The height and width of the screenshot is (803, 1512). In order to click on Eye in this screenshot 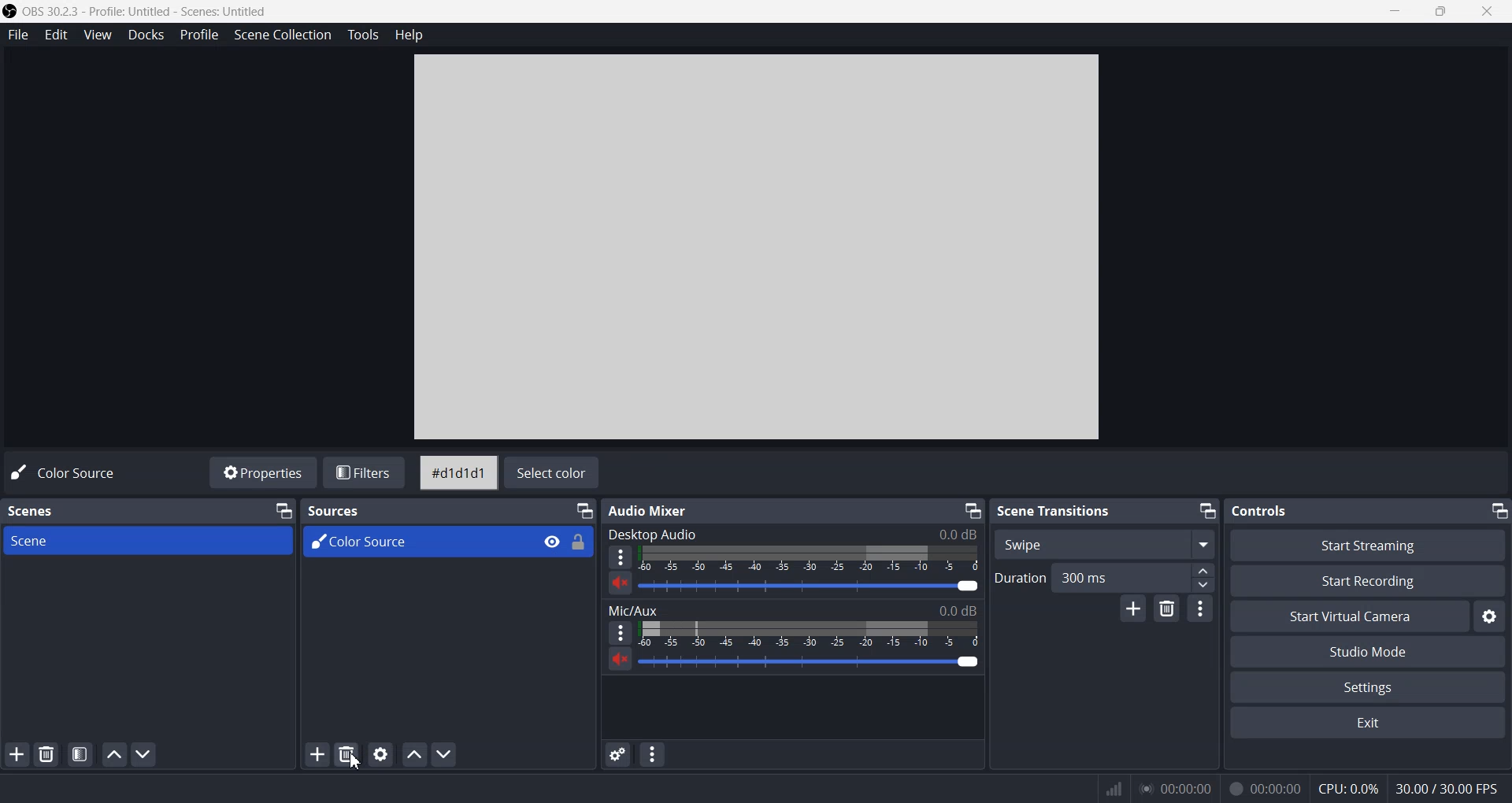, I will do `click(552, 542)`.